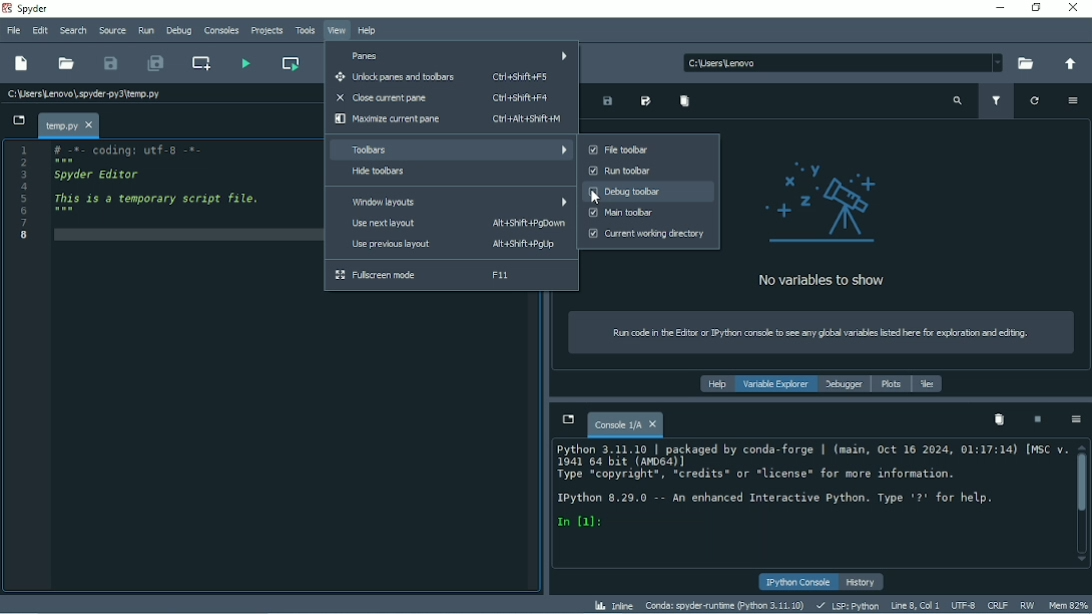 The width and height of the screenshot is (1092, 614). What do you see at coordinates (647, 150) in the screenshot?
I see `File toolbar` at bounding box center [647, 150].